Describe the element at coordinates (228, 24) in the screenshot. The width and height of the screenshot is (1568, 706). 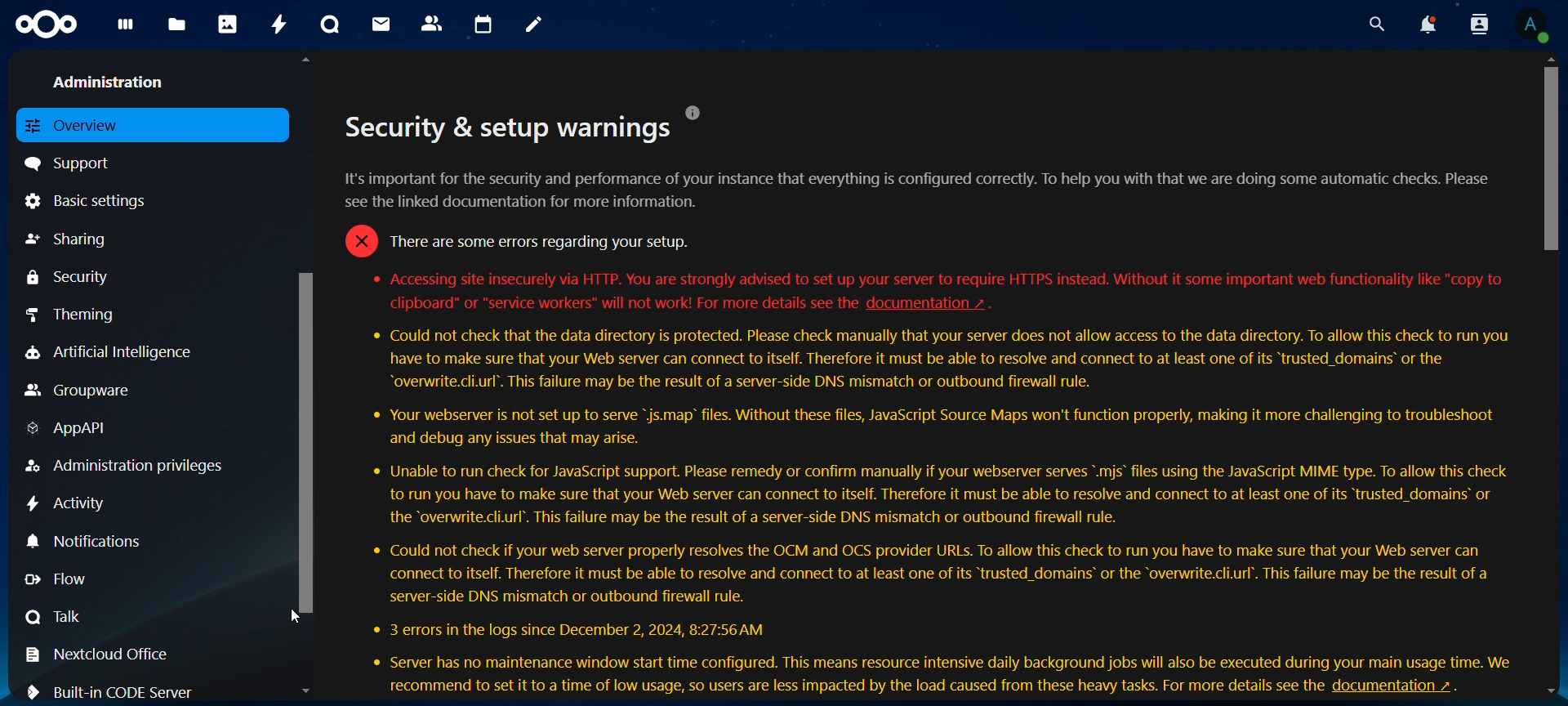
I see `photos` at that location.